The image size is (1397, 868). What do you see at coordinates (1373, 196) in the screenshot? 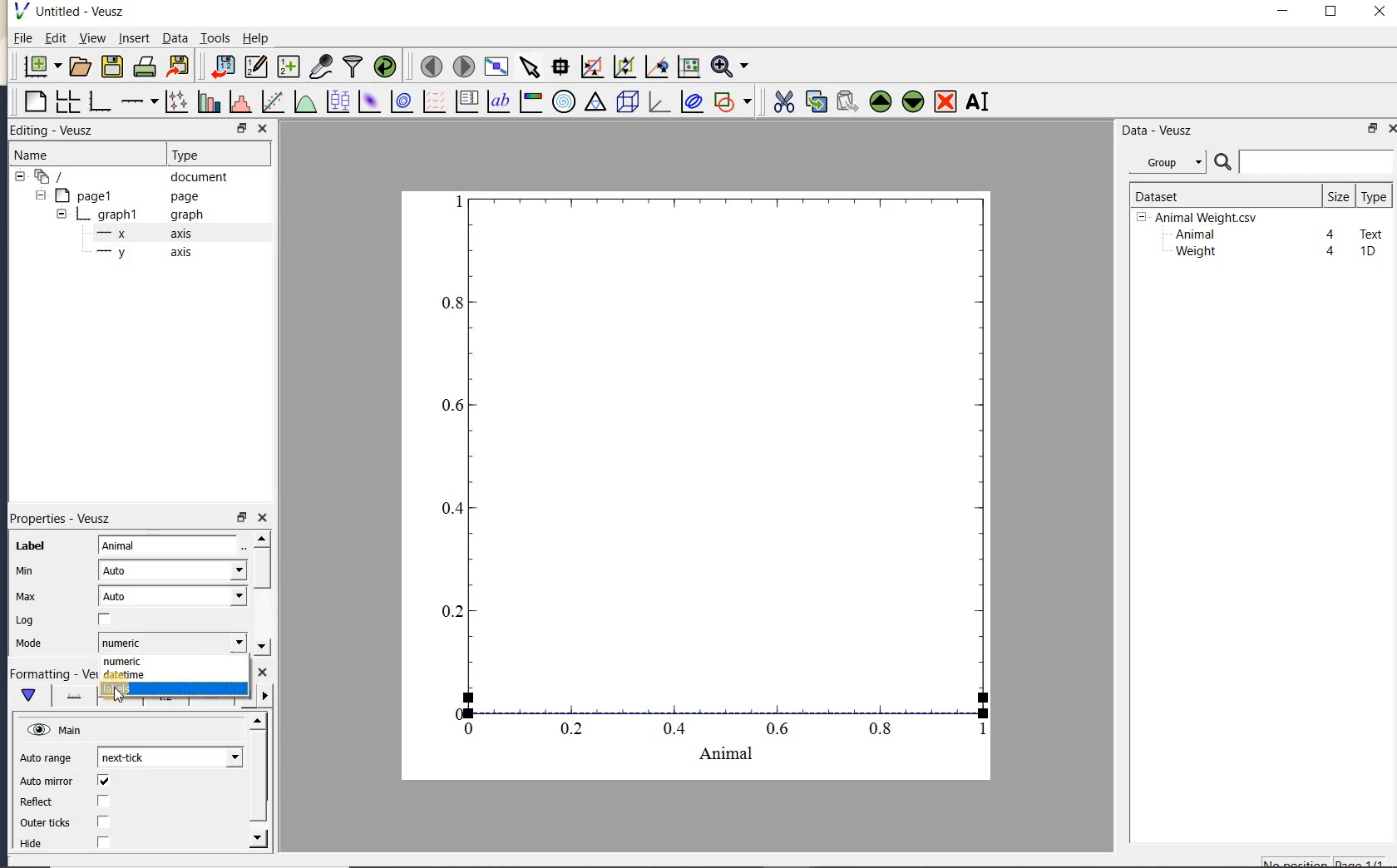
I see `type` at bounding box center [1373, 196].